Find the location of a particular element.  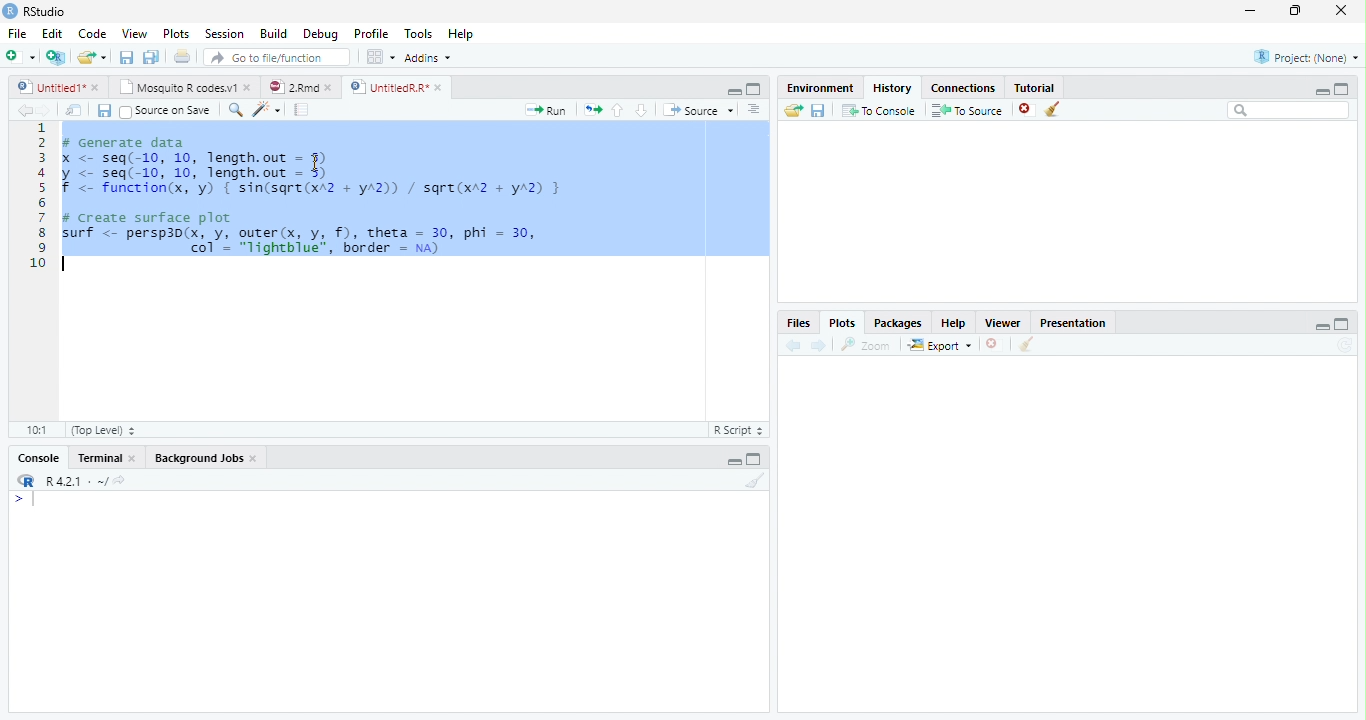

Terminal is located at coordinates (99, 458).